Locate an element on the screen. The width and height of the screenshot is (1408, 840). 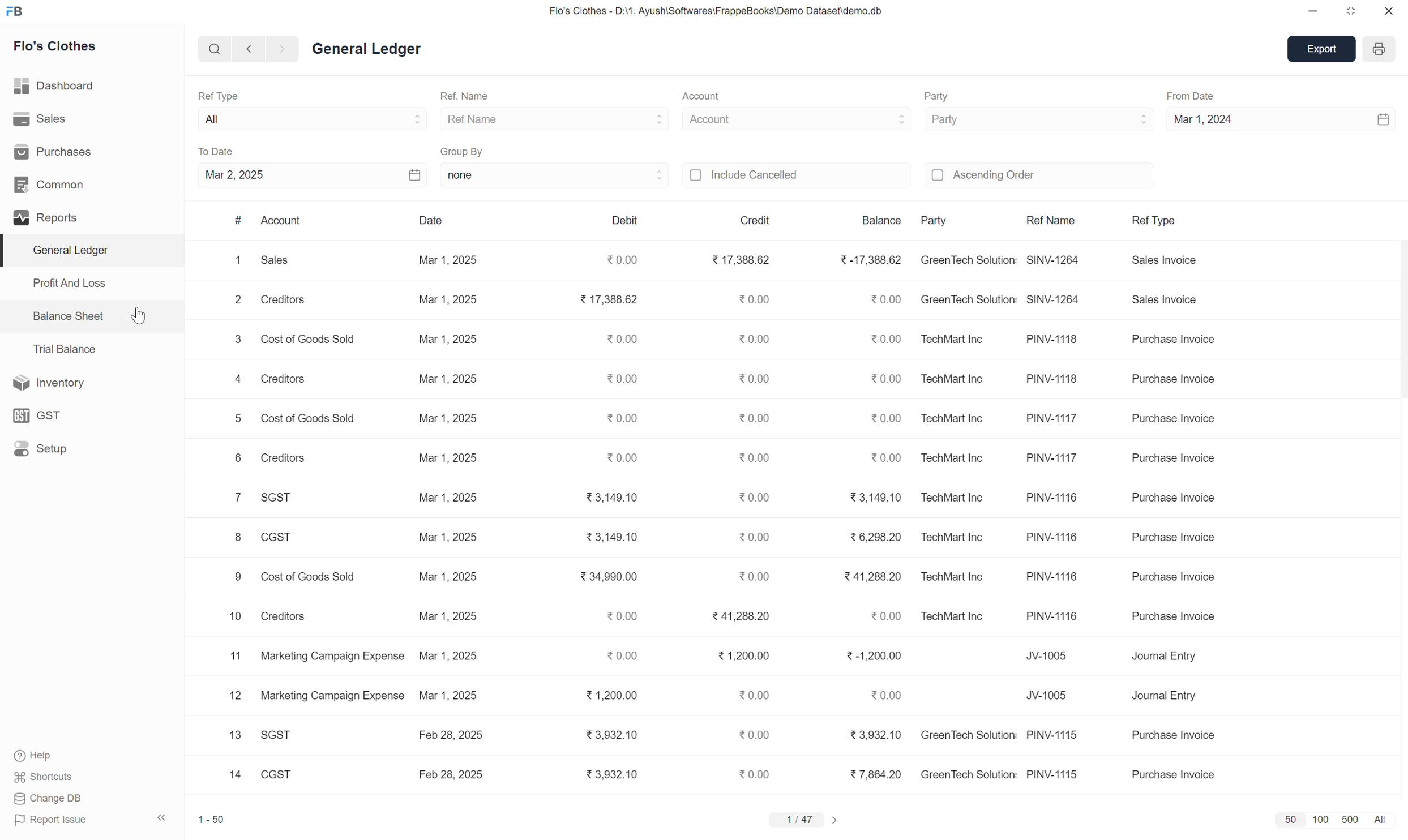
 Dashboard is located at coordinates (62, 87).